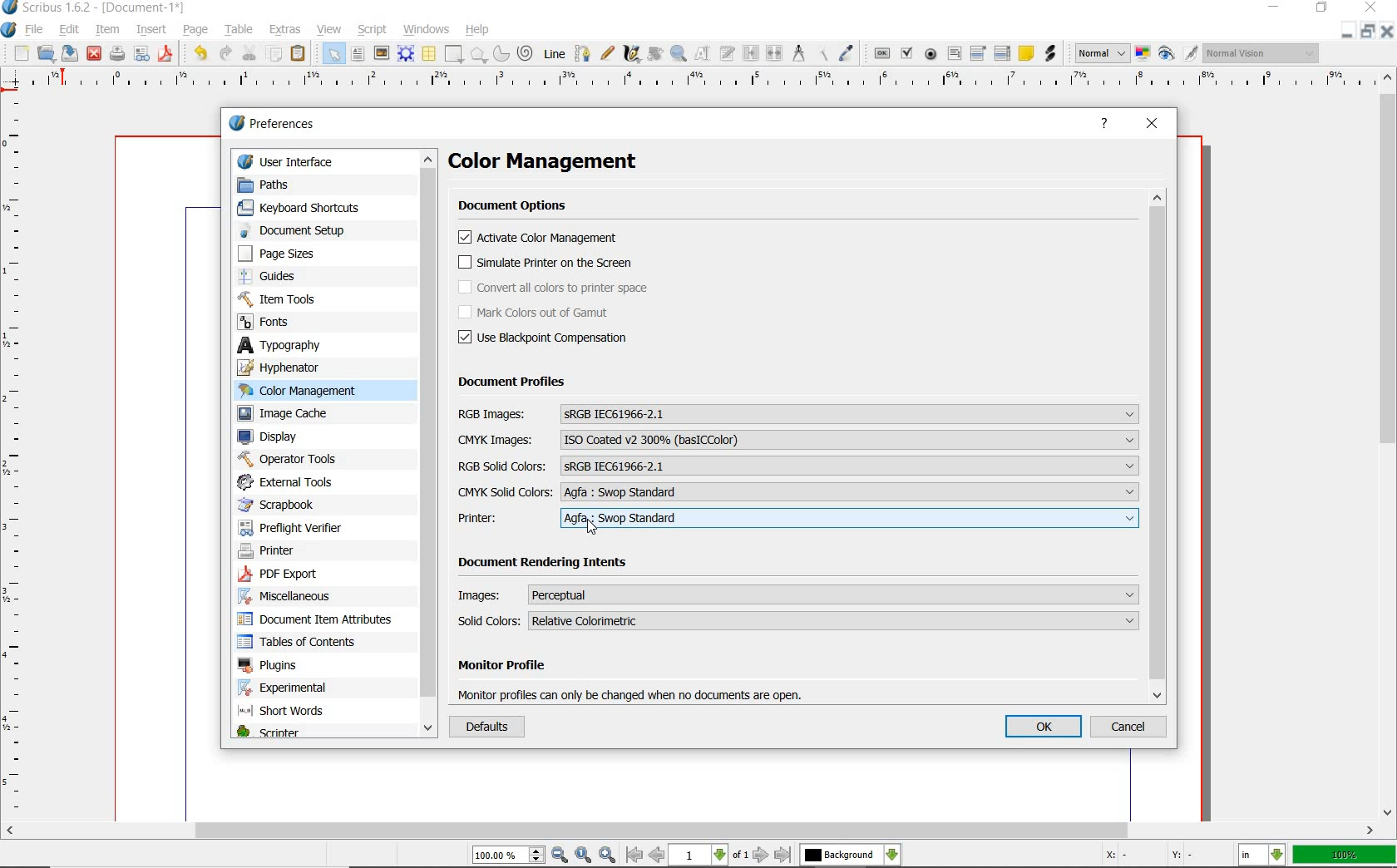 Image resolution: width=1397 pixels, height=868 pixels. What do you see at coordinates (116, 53) in the screenshot?
I see `print` at bounding box center [116, 53].